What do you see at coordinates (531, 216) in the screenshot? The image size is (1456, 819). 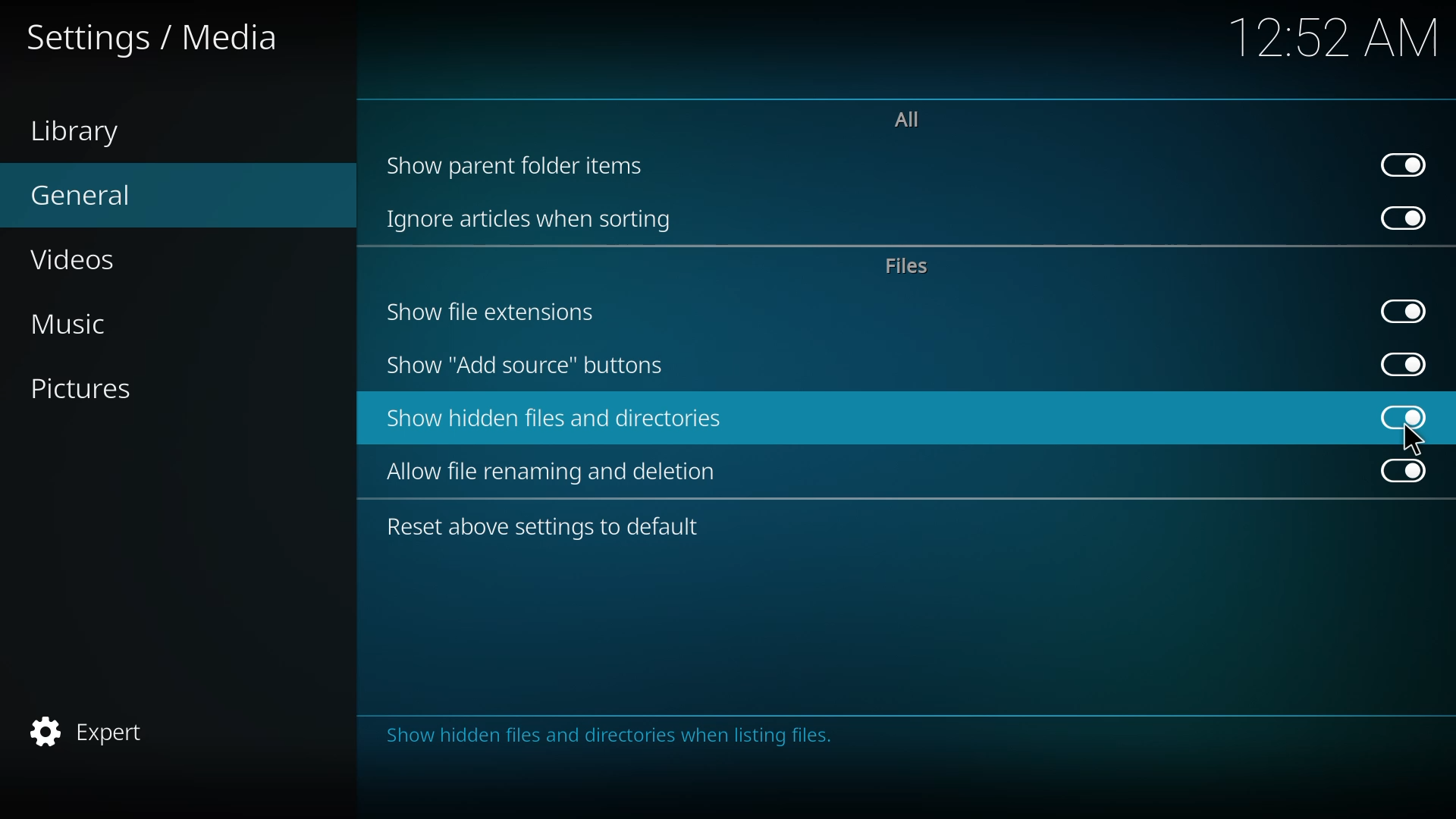 I see `ignore articles when sorting` at bounding box center [531, 216].